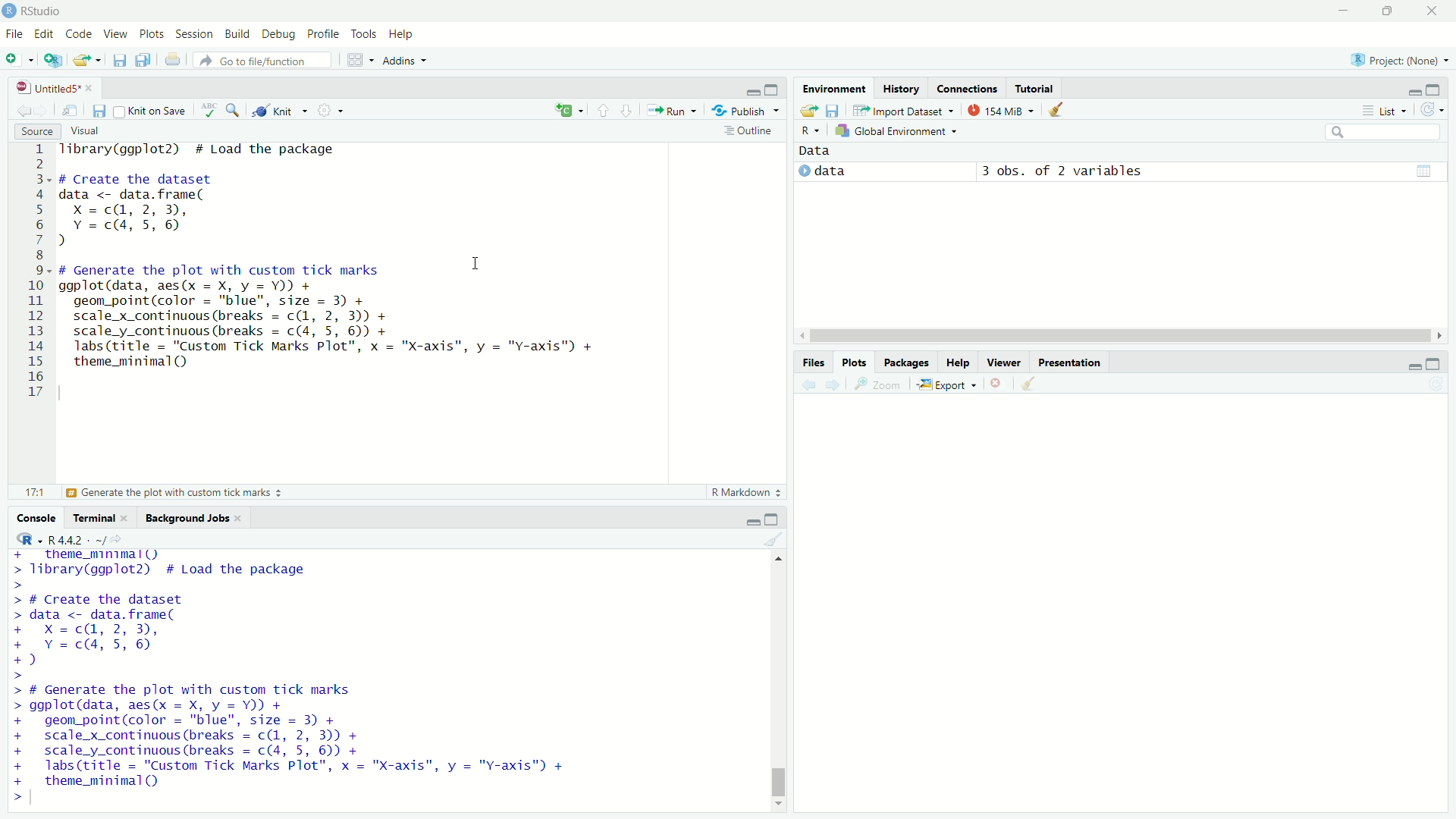 The image size is (1456, 819). Describe the element at coordinates (1386, 134) in the screenshot. I see `search field` at that location.